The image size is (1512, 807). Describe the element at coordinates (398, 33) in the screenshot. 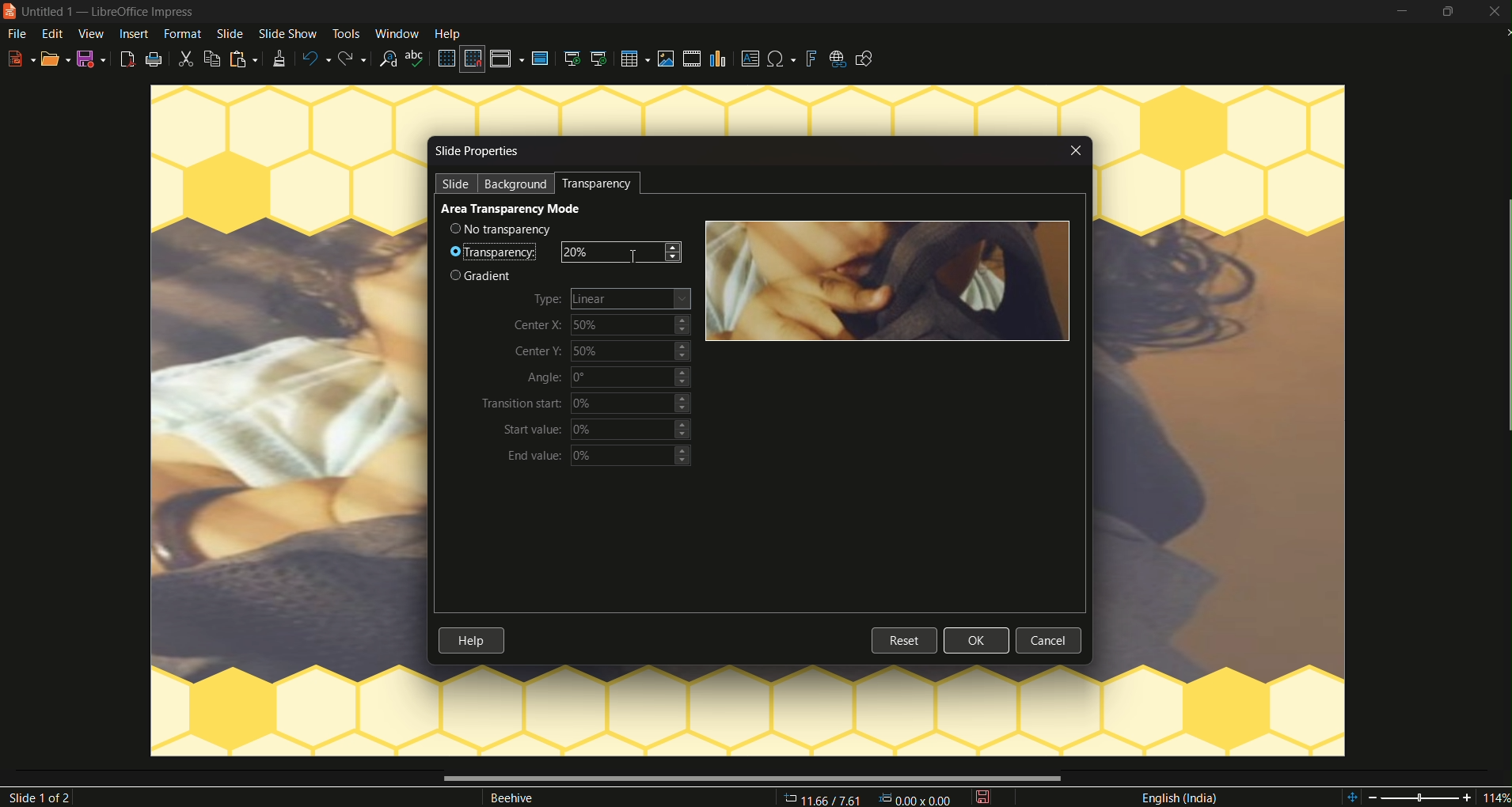

I see `window` at that location.